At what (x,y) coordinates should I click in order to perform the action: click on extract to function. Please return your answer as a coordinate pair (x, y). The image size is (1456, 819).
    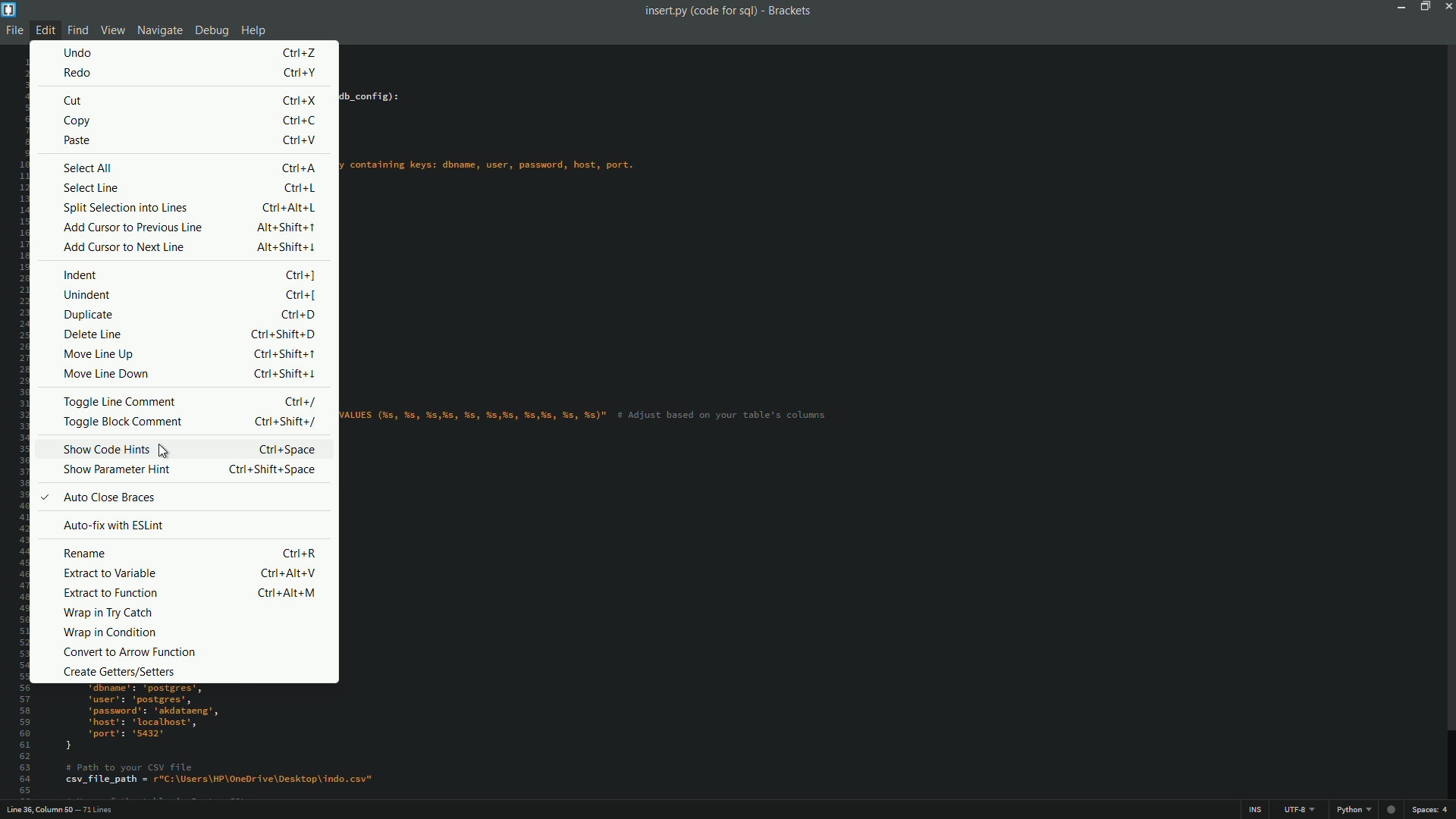
    Looking at the image, I should click on (108, 595).